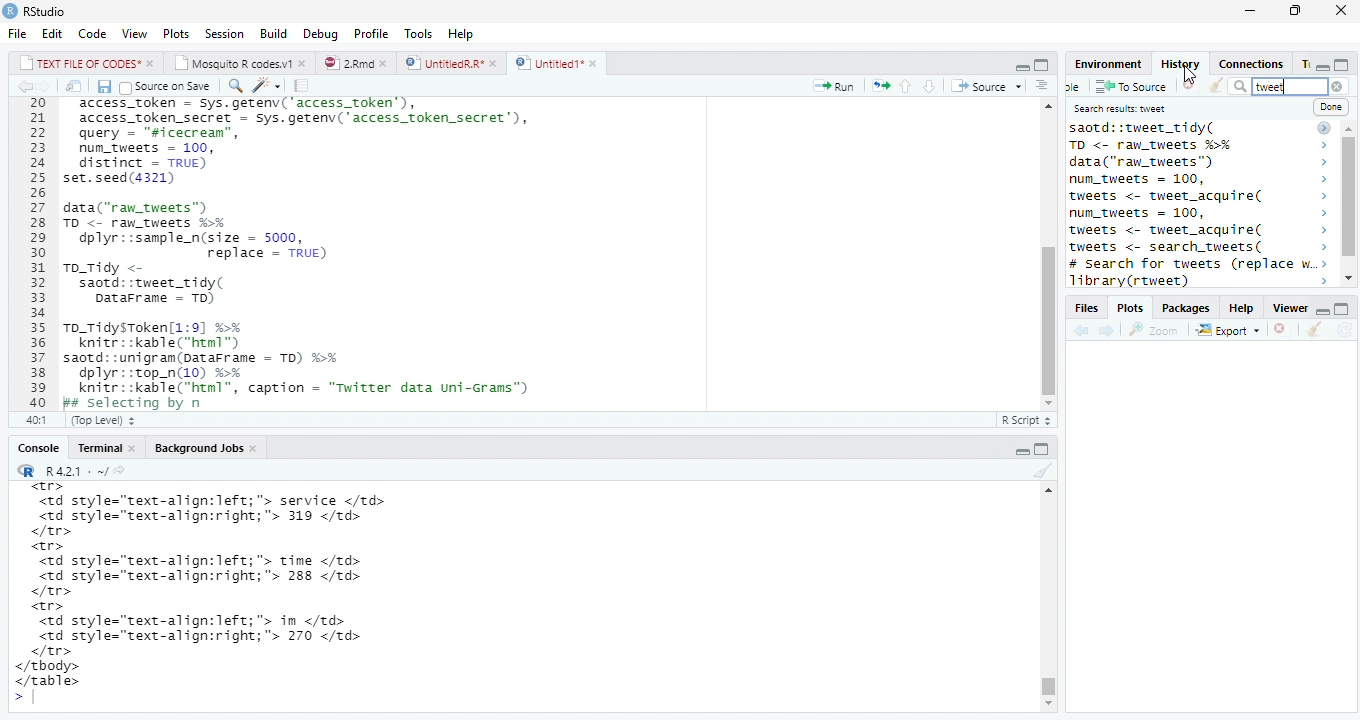 This screenshot has width=1360, height=720. What do you see at coordinates (1252, 11) in the screenshot?
I see `minimize` at bounding box center [1252, 11].